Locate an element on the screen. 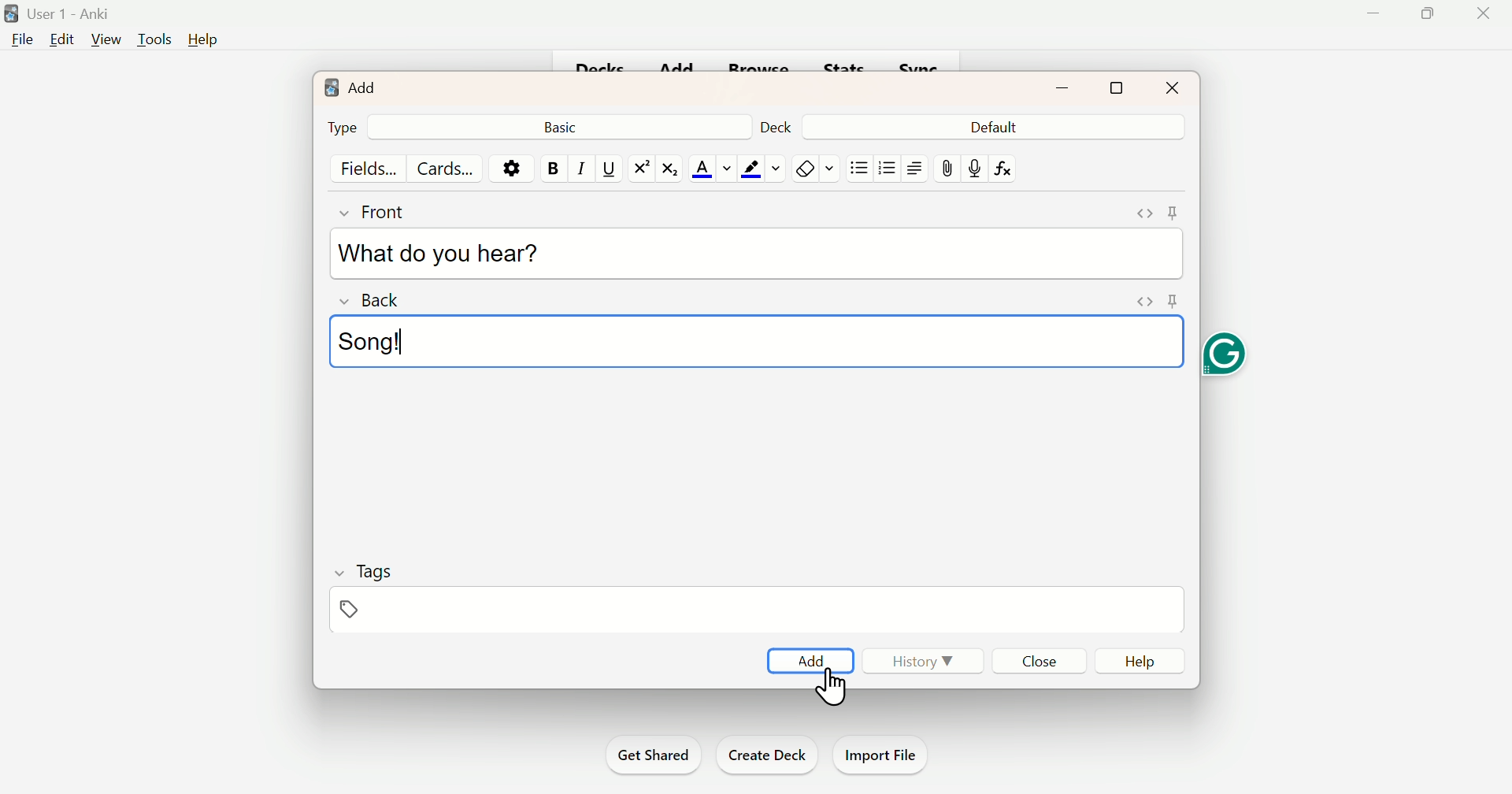  Import File is located at coordinates (886, 755).